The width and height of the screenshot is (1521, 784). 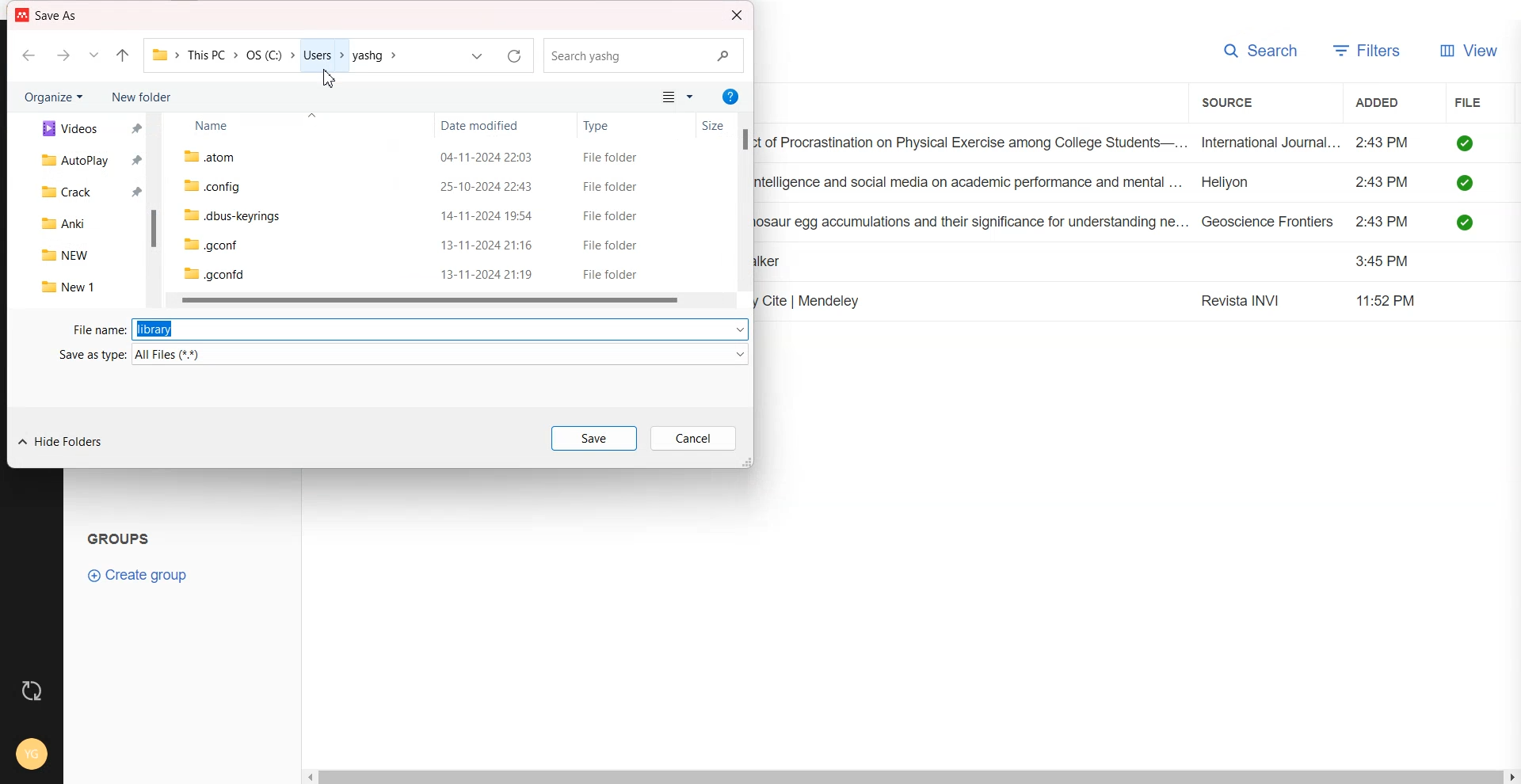 I want to click on Type, so click(x=618, y=126).